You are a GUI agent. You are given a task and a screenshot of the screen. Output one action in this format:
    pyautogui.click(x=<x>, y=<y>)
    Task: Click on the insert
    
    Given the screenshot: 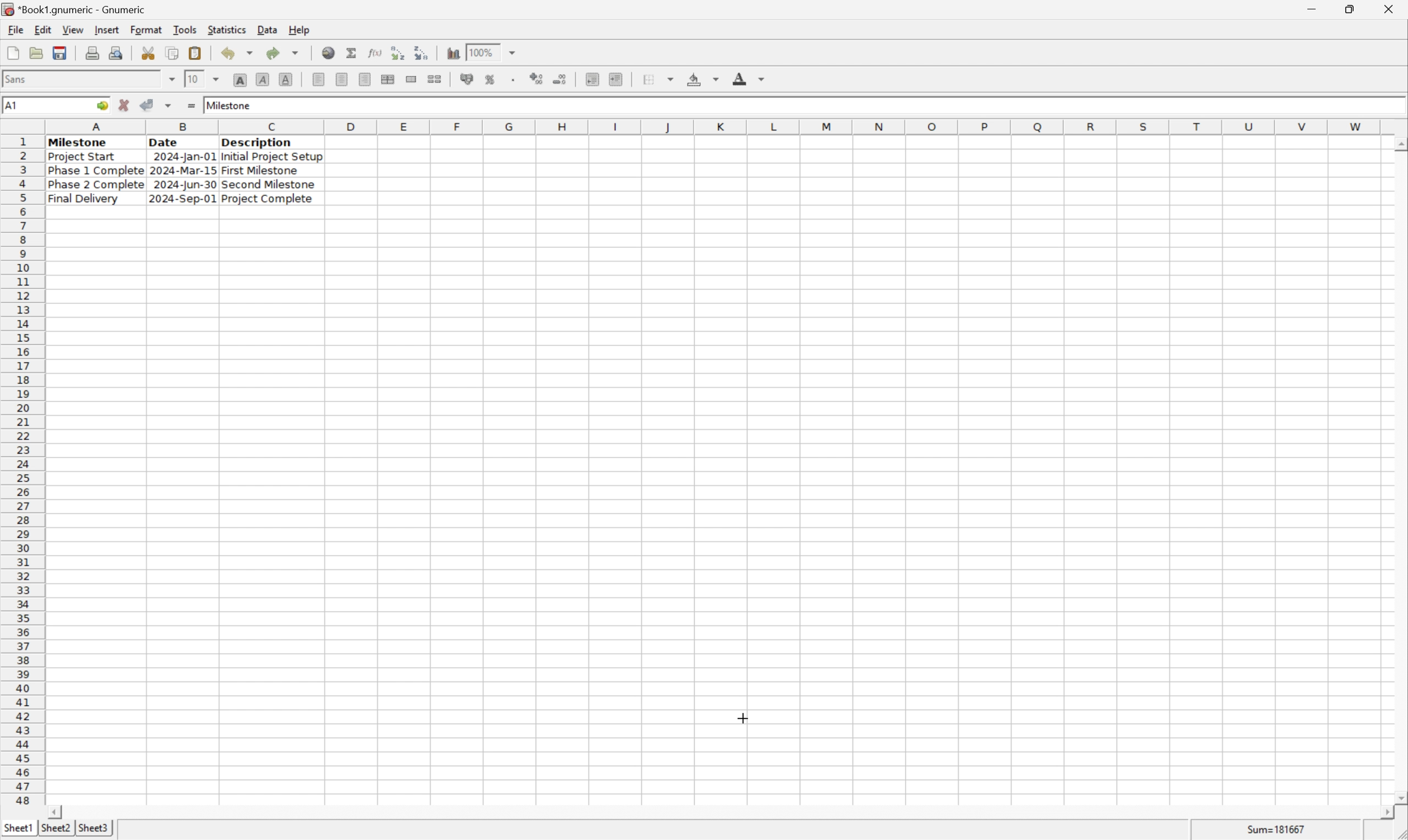 What is the action you would take?
    pyautogui.click(x=106, y=31)
    